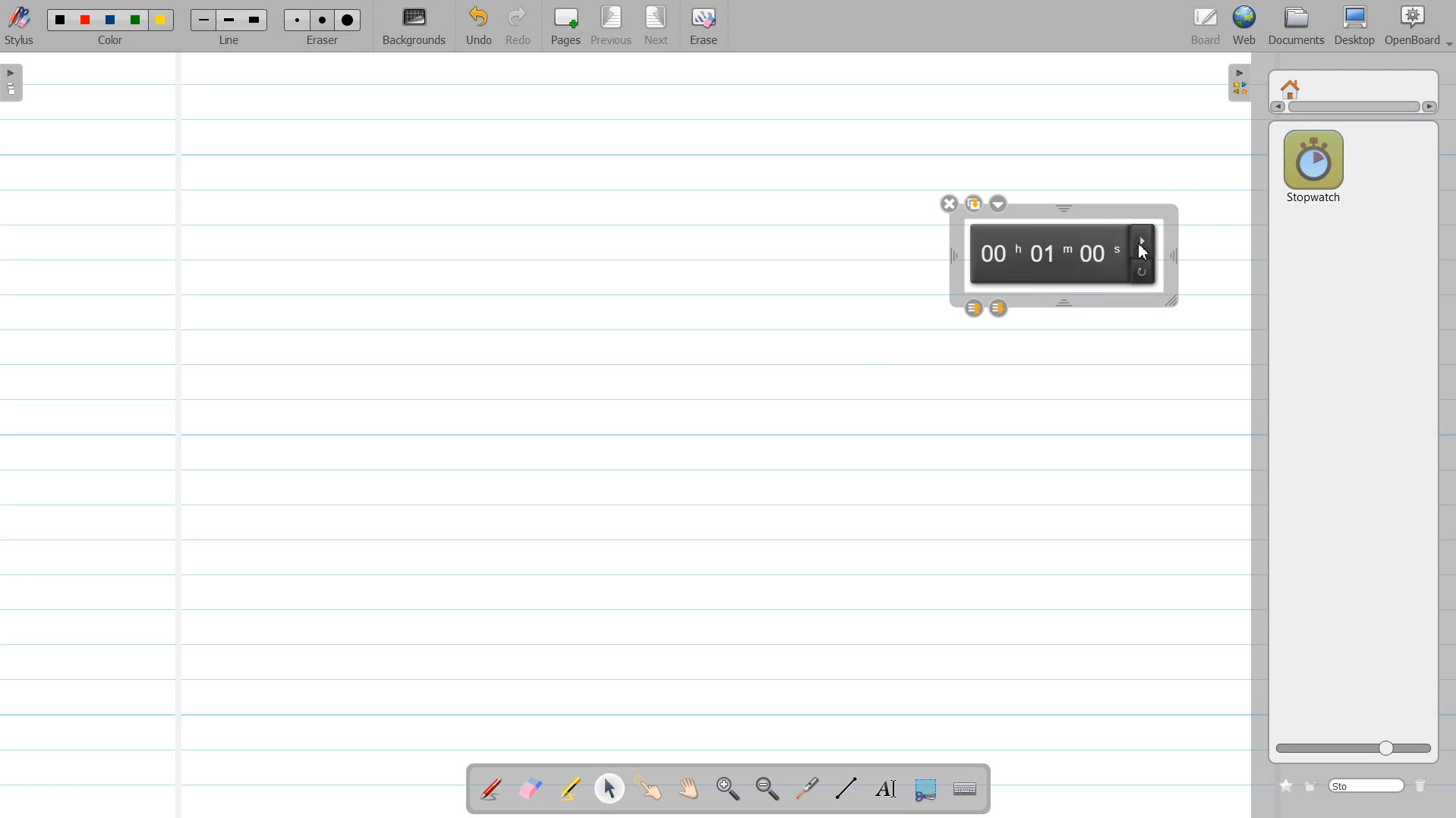 The width and height of the screenshot is (1456, 818). I want to click on OpenBoard, so click(1415, 26).